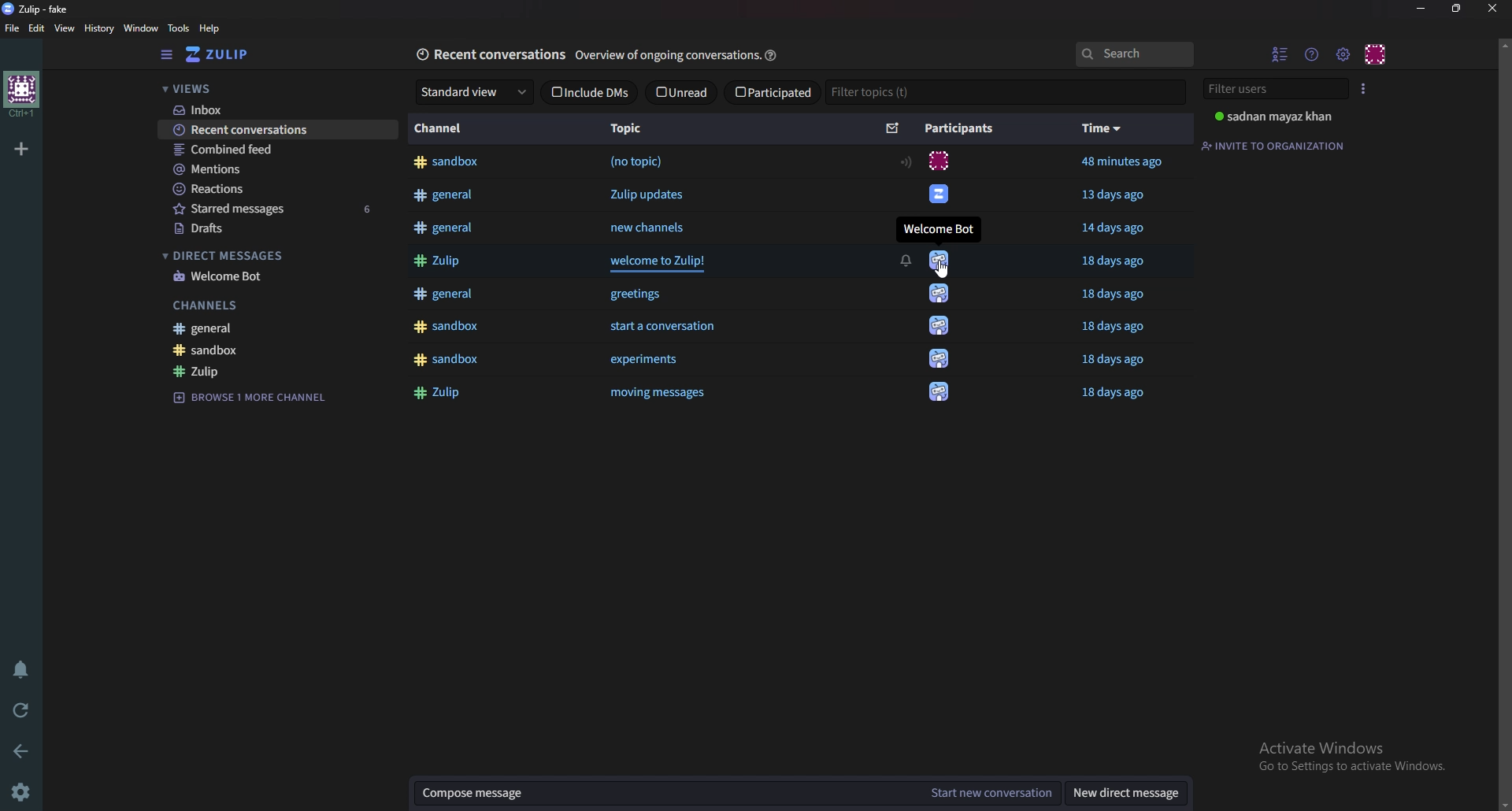 The height and width of the screenshot is (811, 1512). I want to click on home, so click(20, 94).